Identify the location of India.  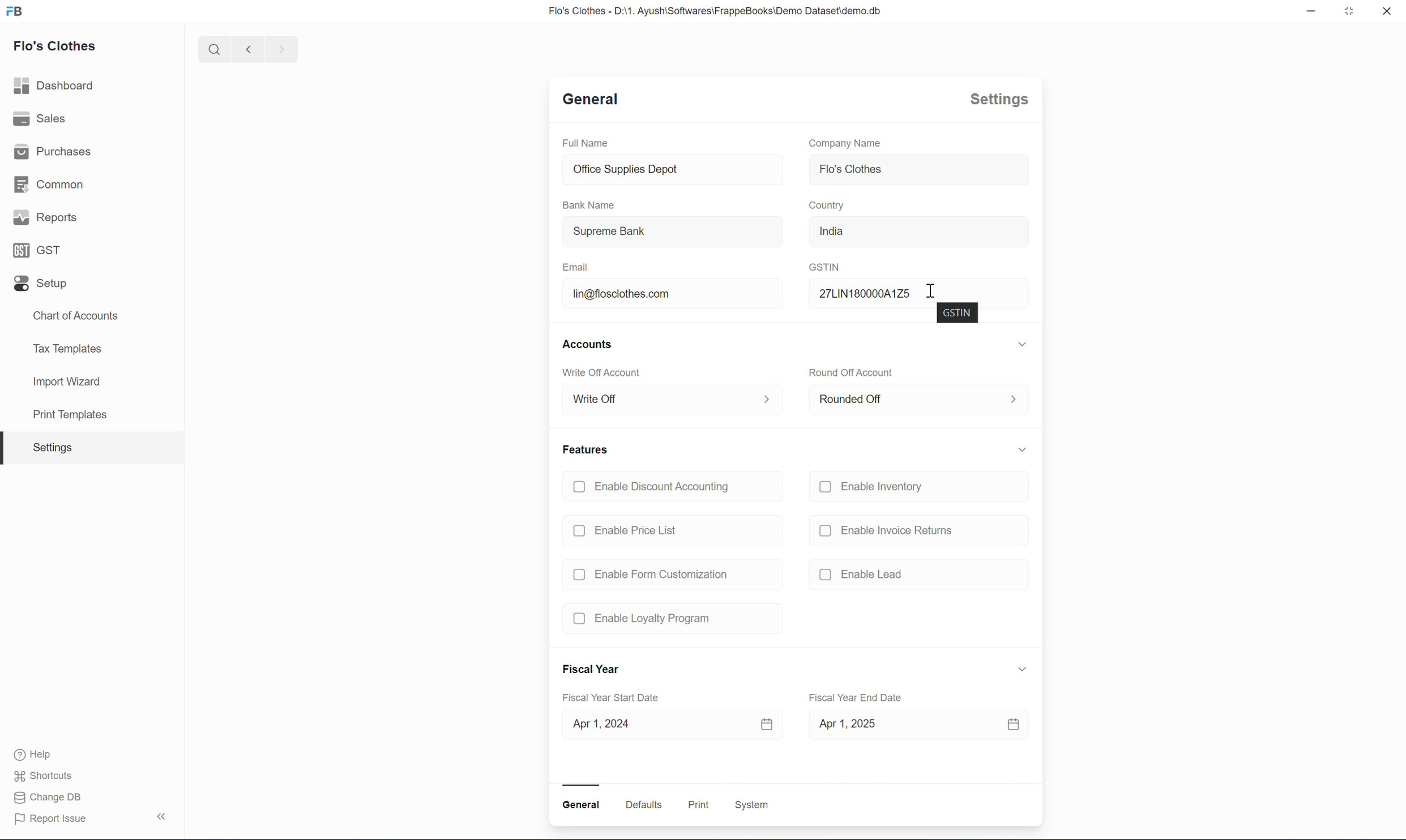
(918, 232).